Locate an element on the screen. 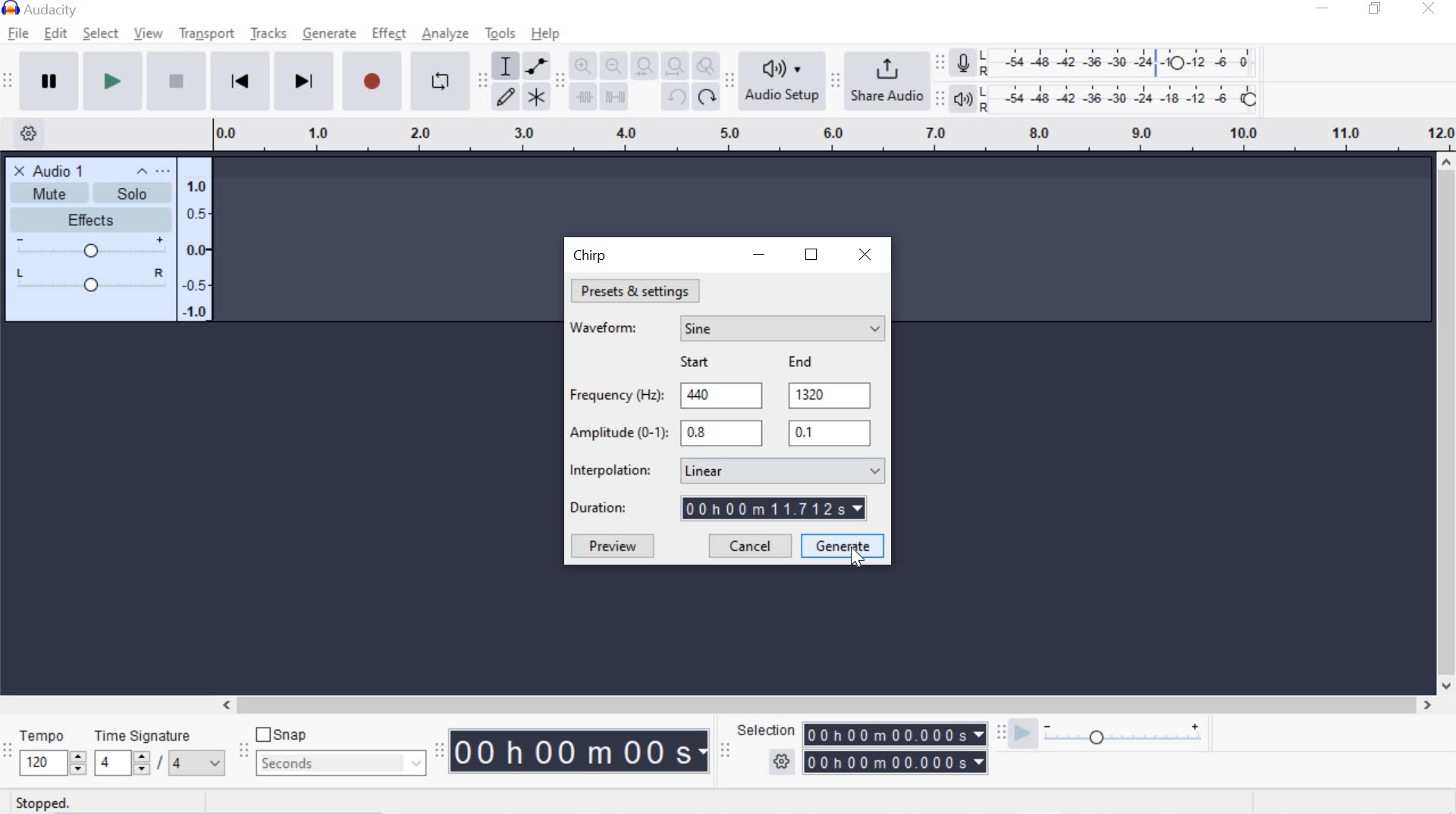 The image size is (1456, 814). tools is located at coordinates (500, 35).